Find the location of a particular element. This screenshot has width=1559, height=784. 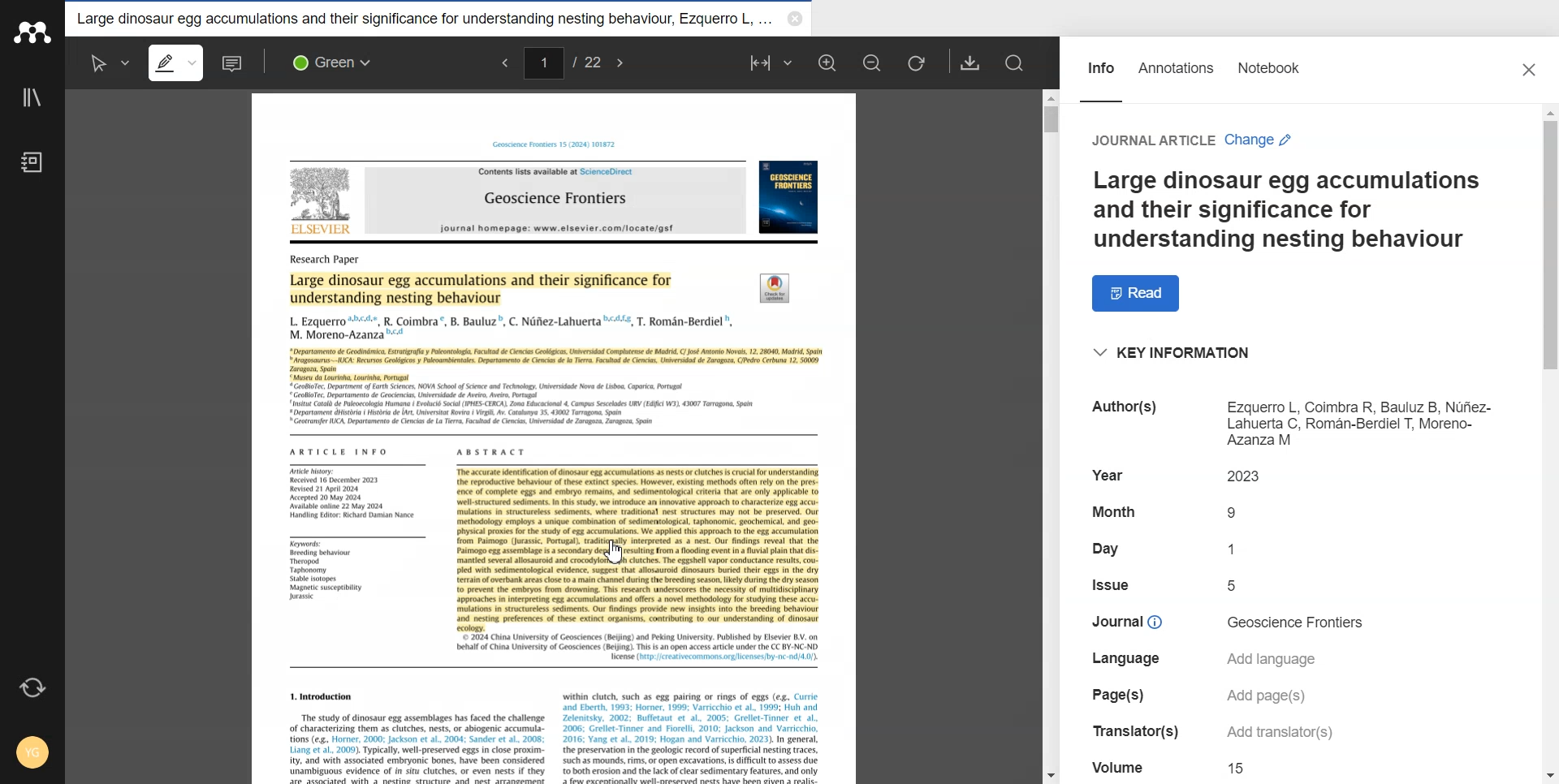

Logo is located at coordinates (32, 32).